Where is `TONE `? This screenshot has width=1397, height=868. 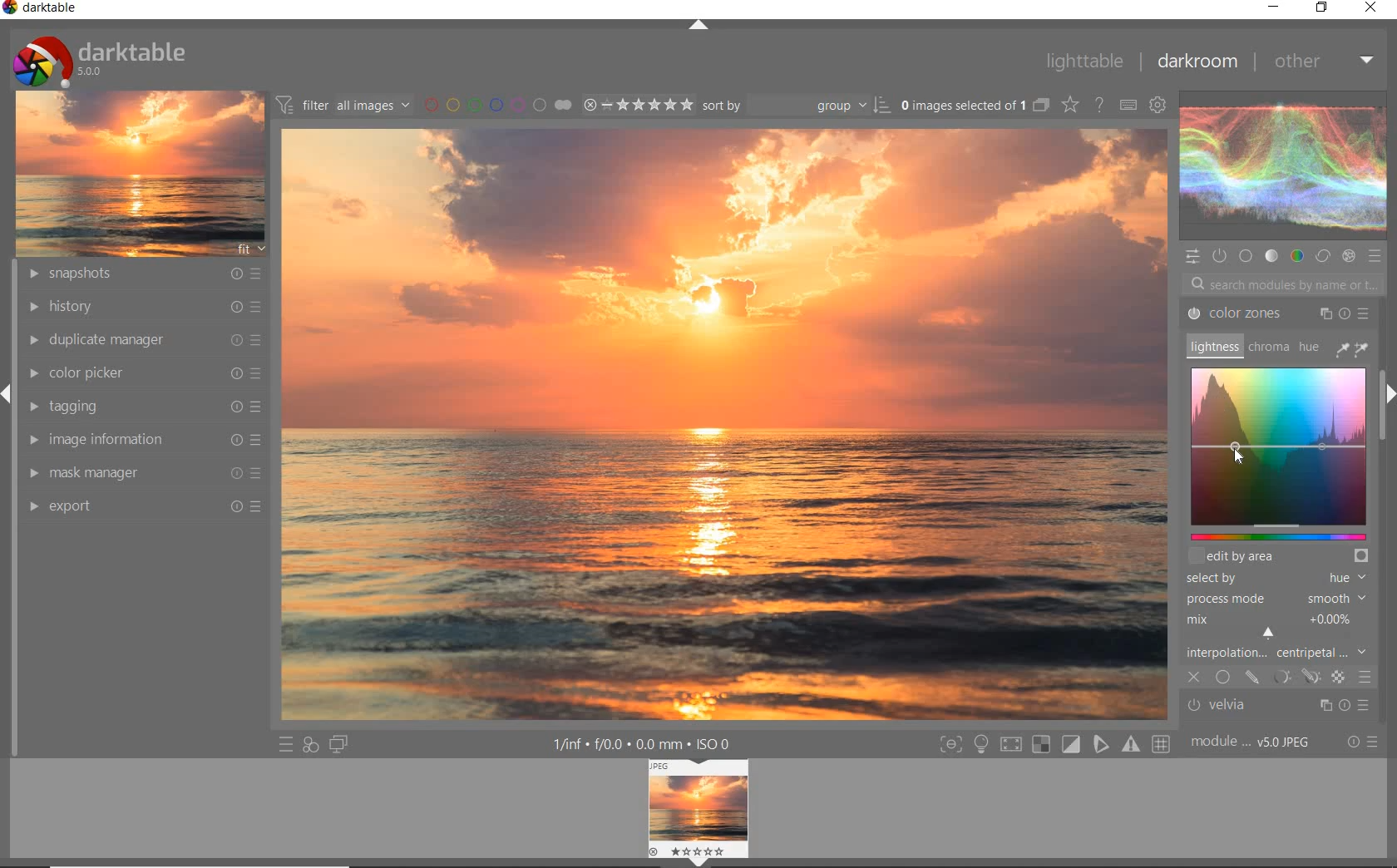
TONE  is located at coordinates (1271, 256).